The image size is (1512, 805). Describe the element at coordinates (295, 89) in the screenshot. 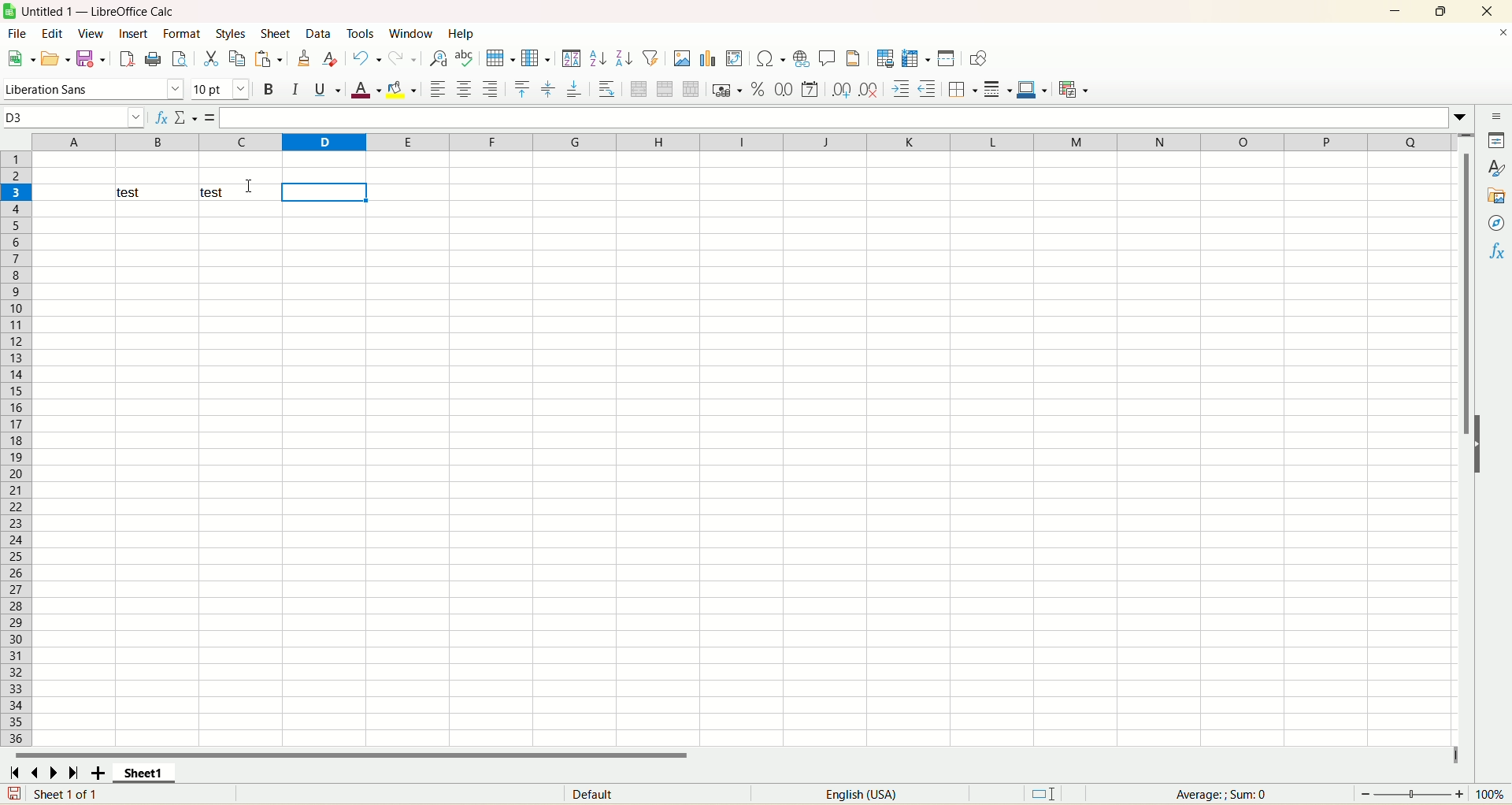

I see `italic` at that location.